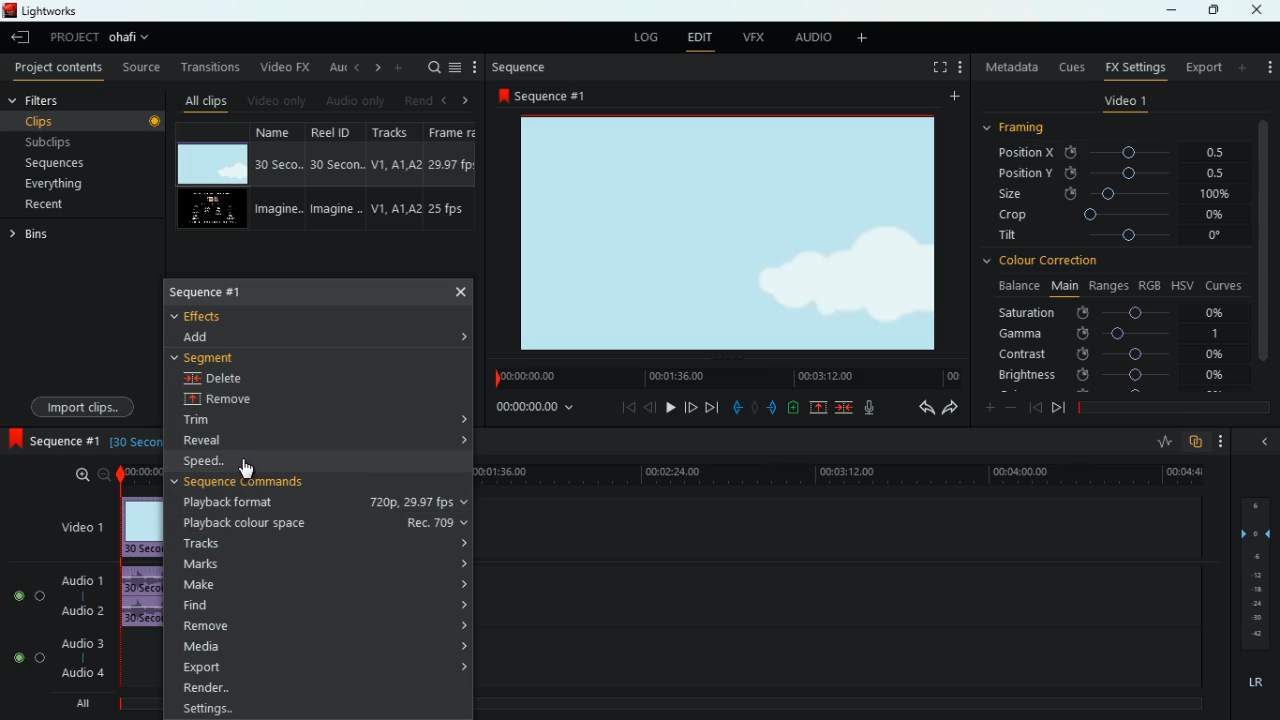 The width and height of the screenshot is (1280, 720). Describe the element at coordinates (297, 544) in the screenshot. I see `tracks` at that location.